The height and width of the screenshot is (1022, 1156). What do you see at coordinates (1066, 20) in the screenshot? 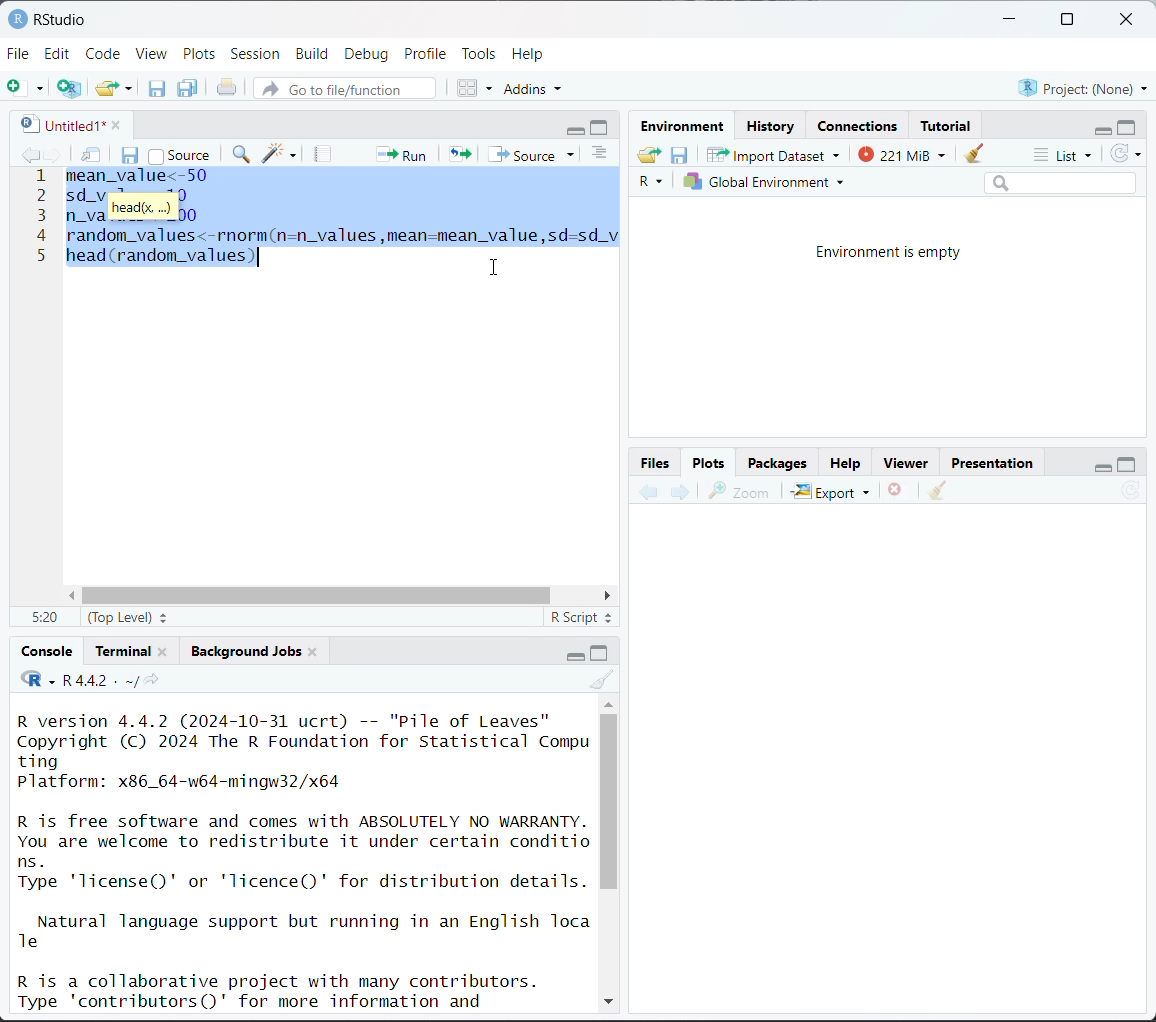
I see `maximize` at bounding box center [1066, 20].